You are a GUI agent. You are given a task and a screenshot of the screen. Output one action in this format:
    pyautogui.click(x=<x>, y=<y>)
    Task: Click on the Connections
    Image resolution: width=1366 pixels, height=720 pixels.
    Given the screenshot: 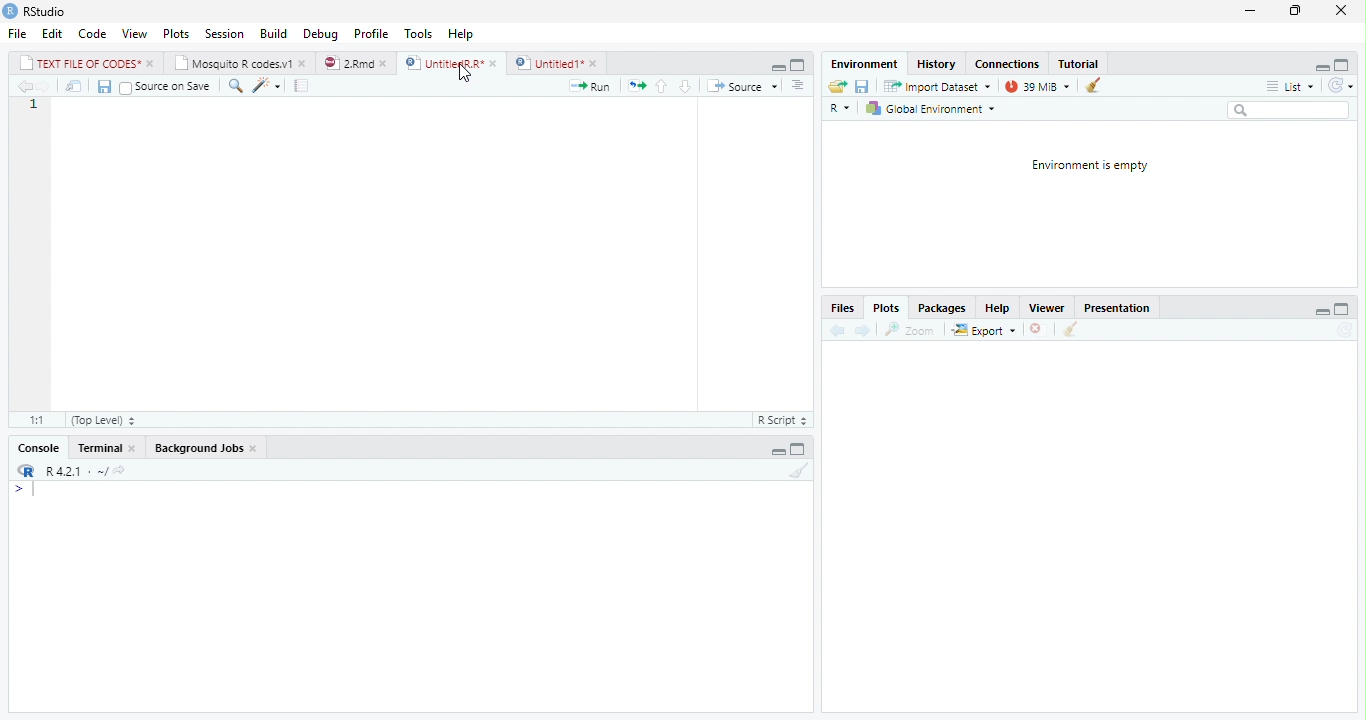 What is the action you would take?
    pyautogui.click(x=1007, y=64)
    